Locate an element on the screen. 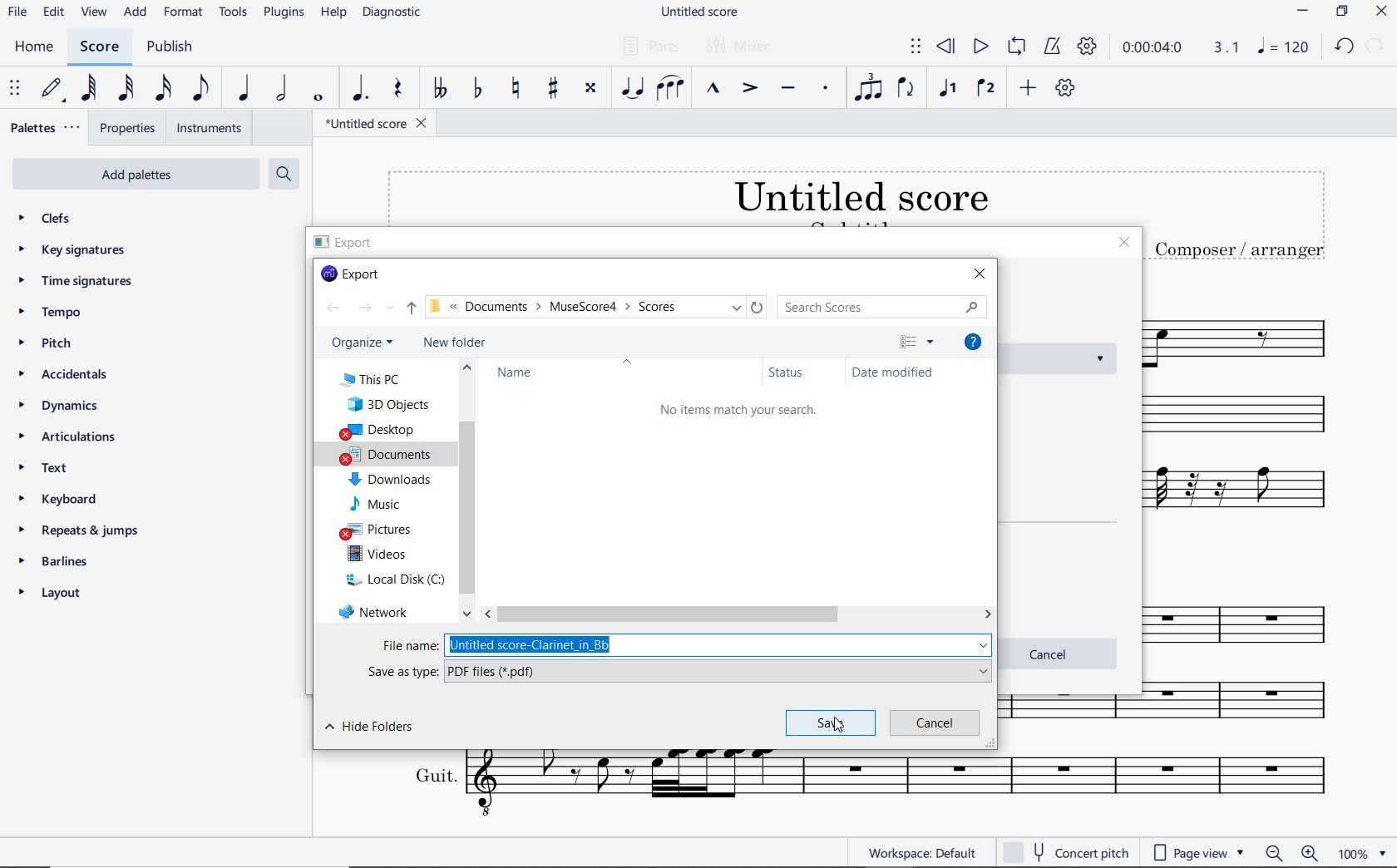  TATUS is located at coordinates (788, 373).